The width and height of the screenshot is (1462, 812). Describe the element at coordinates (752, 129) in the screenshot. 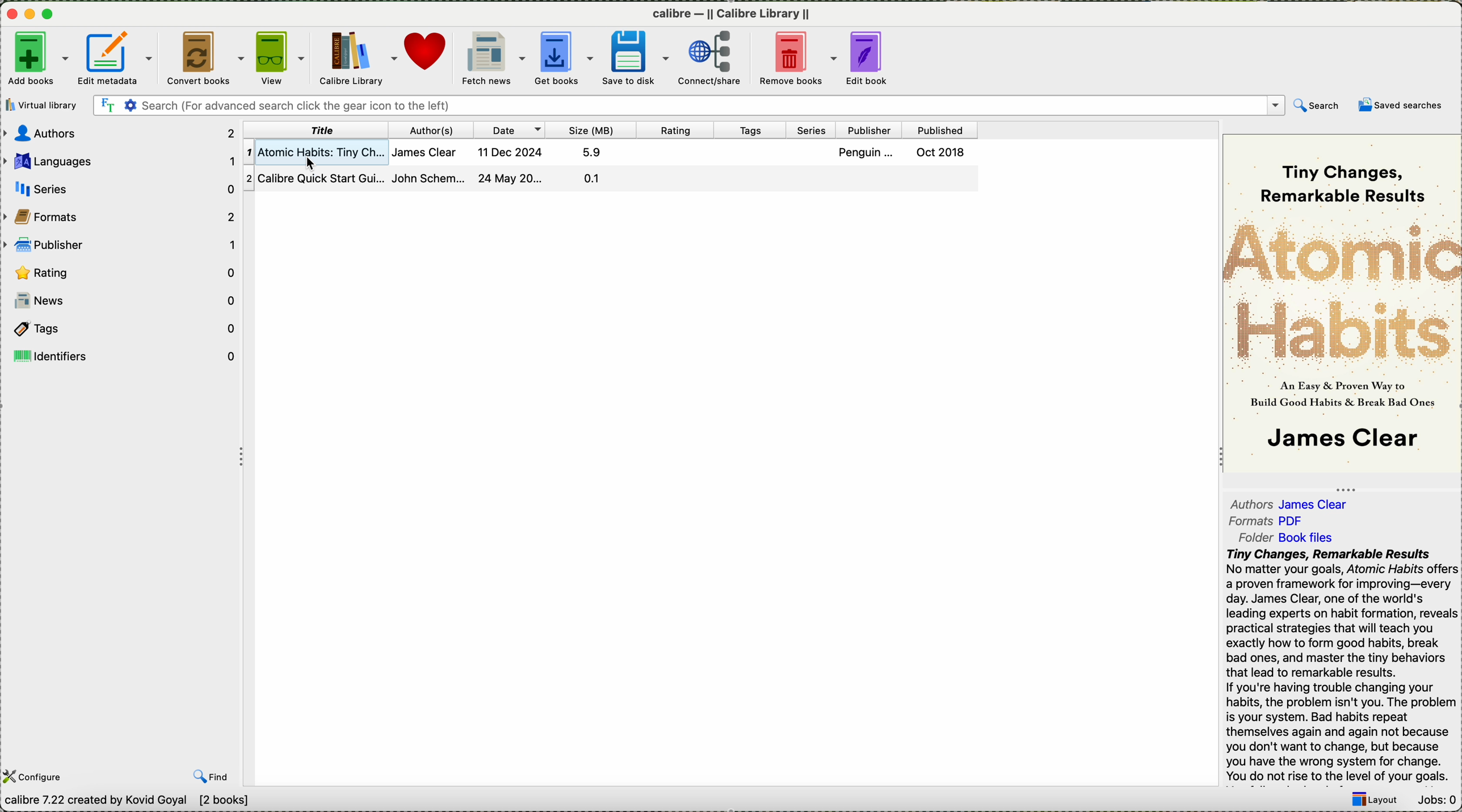

I see `tags` at that location.